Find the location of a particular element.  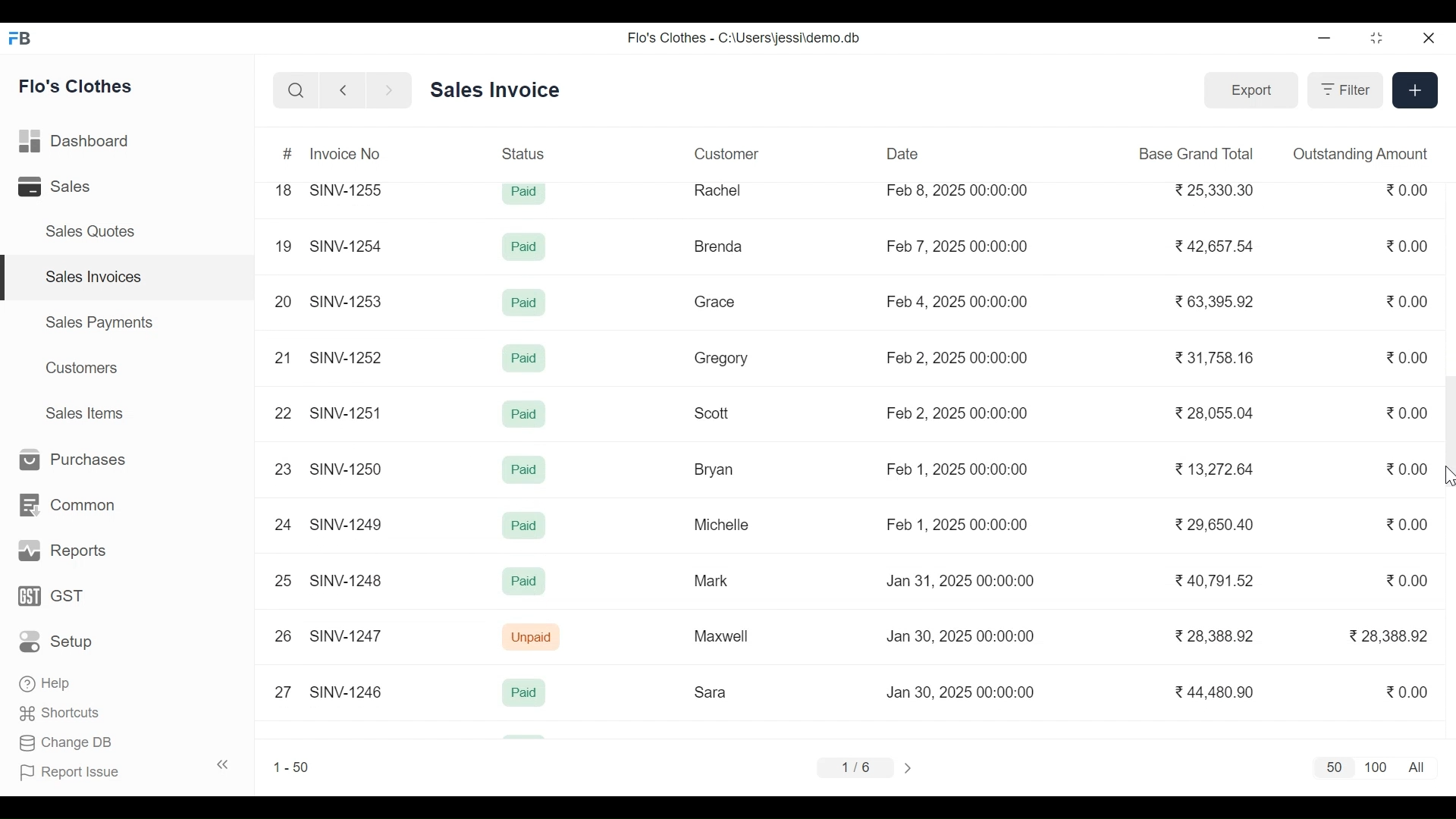

Feb 7, 2025 00:00:00 is located at coordinates (957, 246).